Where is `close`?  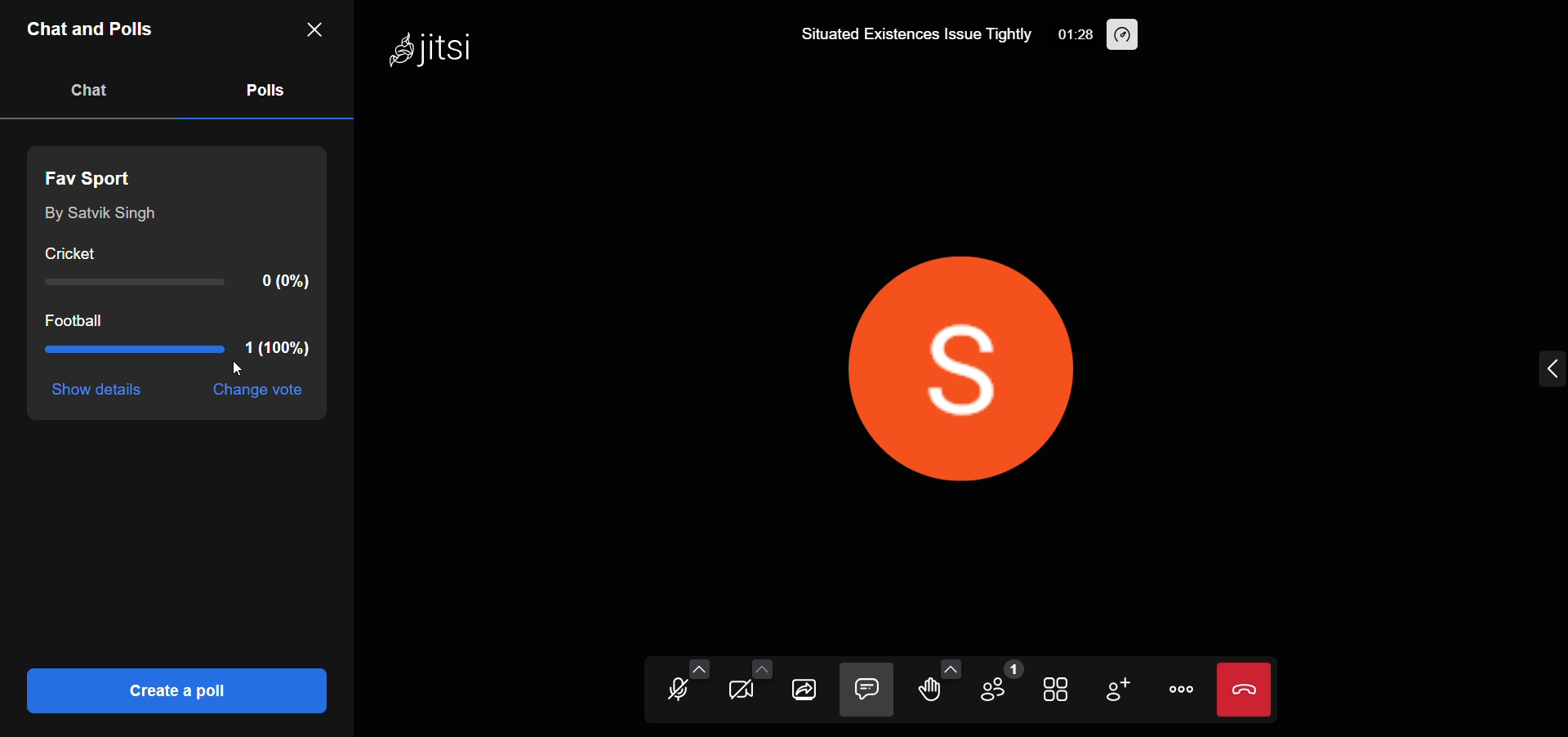 close is located at coordinates (314, 30).